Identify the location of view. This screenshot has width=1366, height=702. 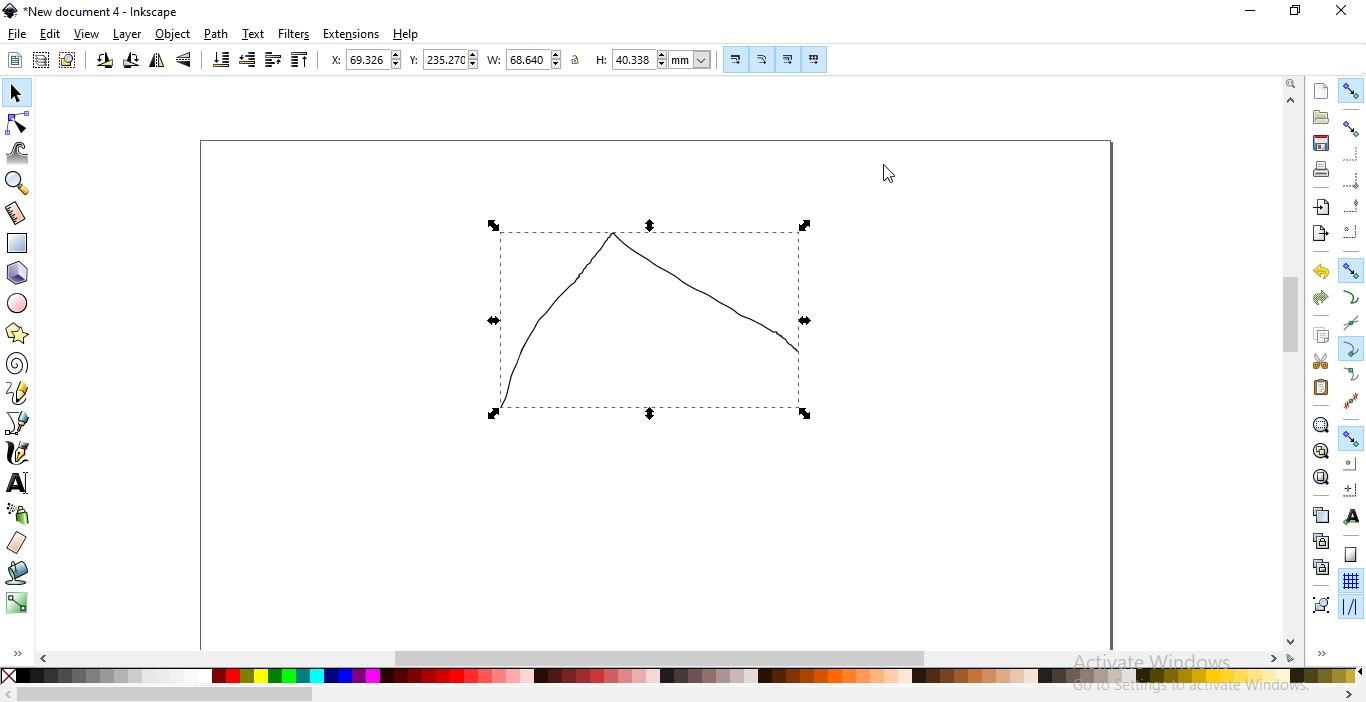
(87, 35).